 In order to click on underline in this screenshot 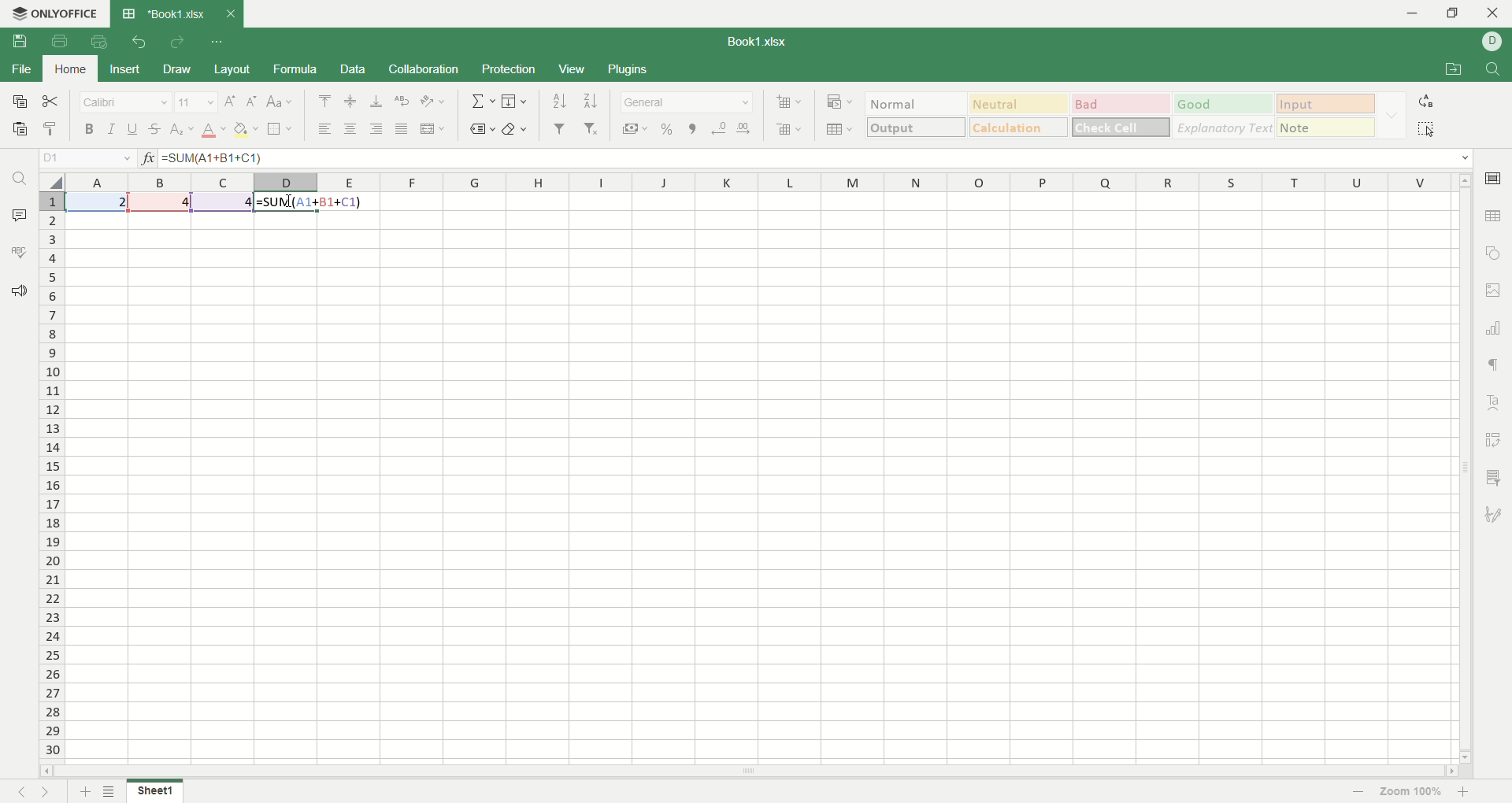, I will do `click(134, 129)`.